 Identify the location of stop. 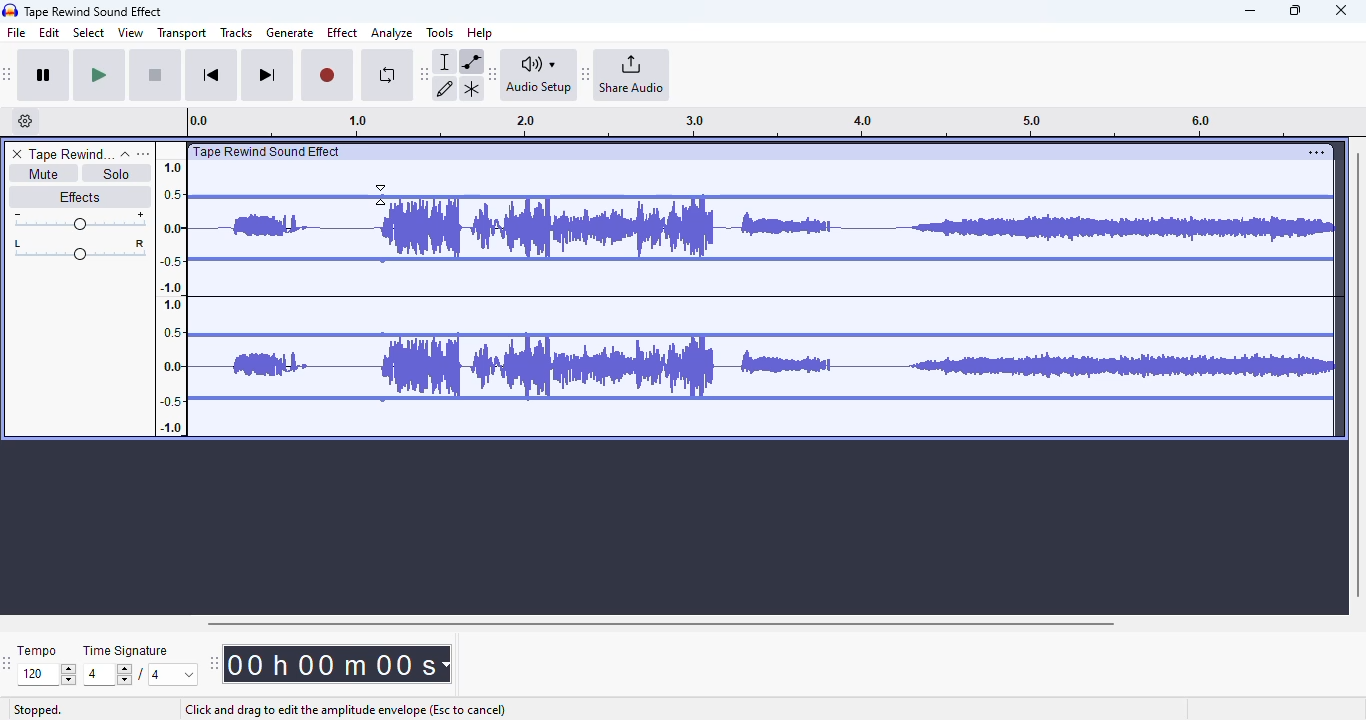
(155, 76).